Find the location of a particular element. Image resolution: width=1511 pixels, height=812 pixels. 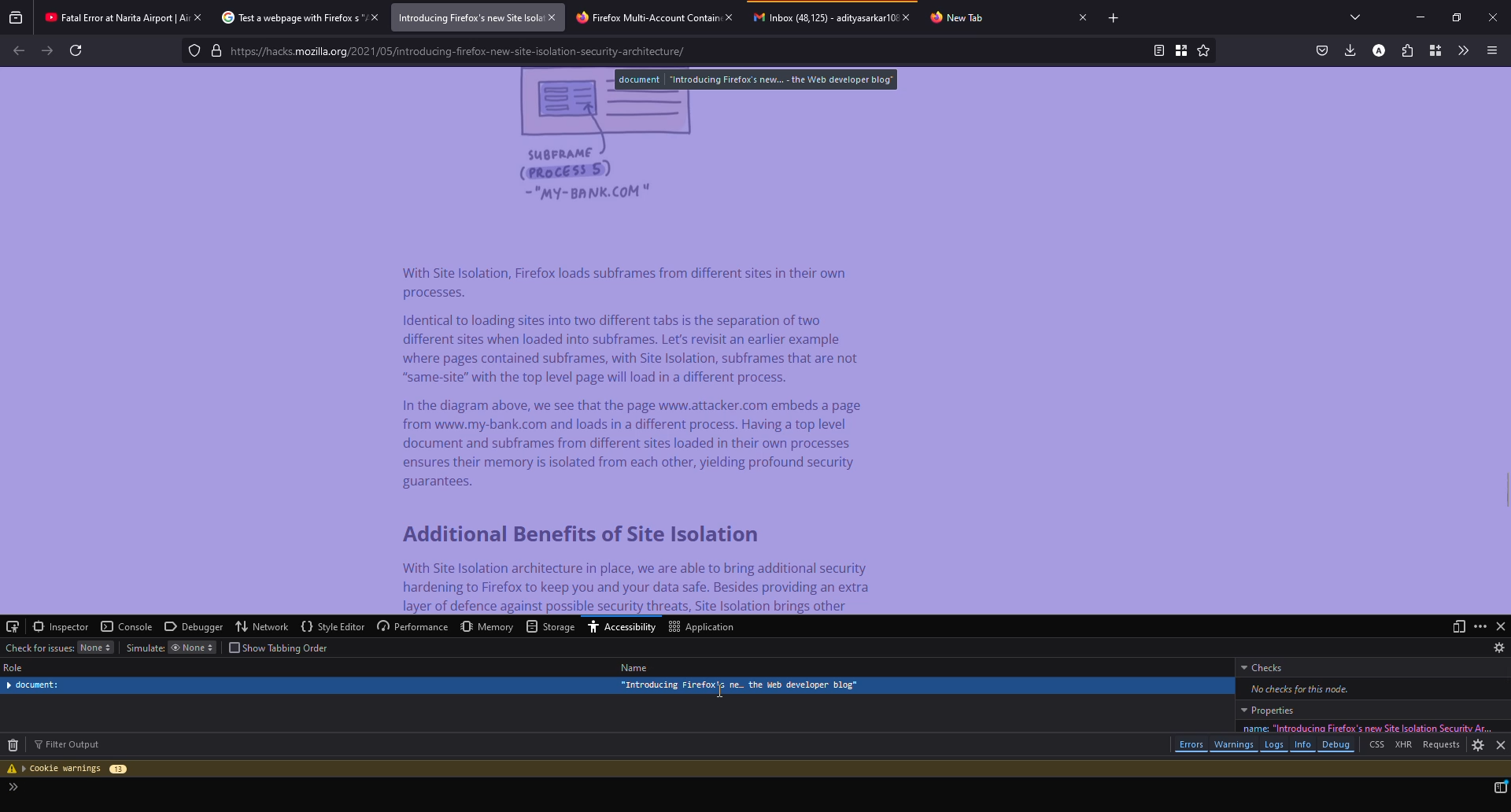

simulate is located at coordinates (143, 648).